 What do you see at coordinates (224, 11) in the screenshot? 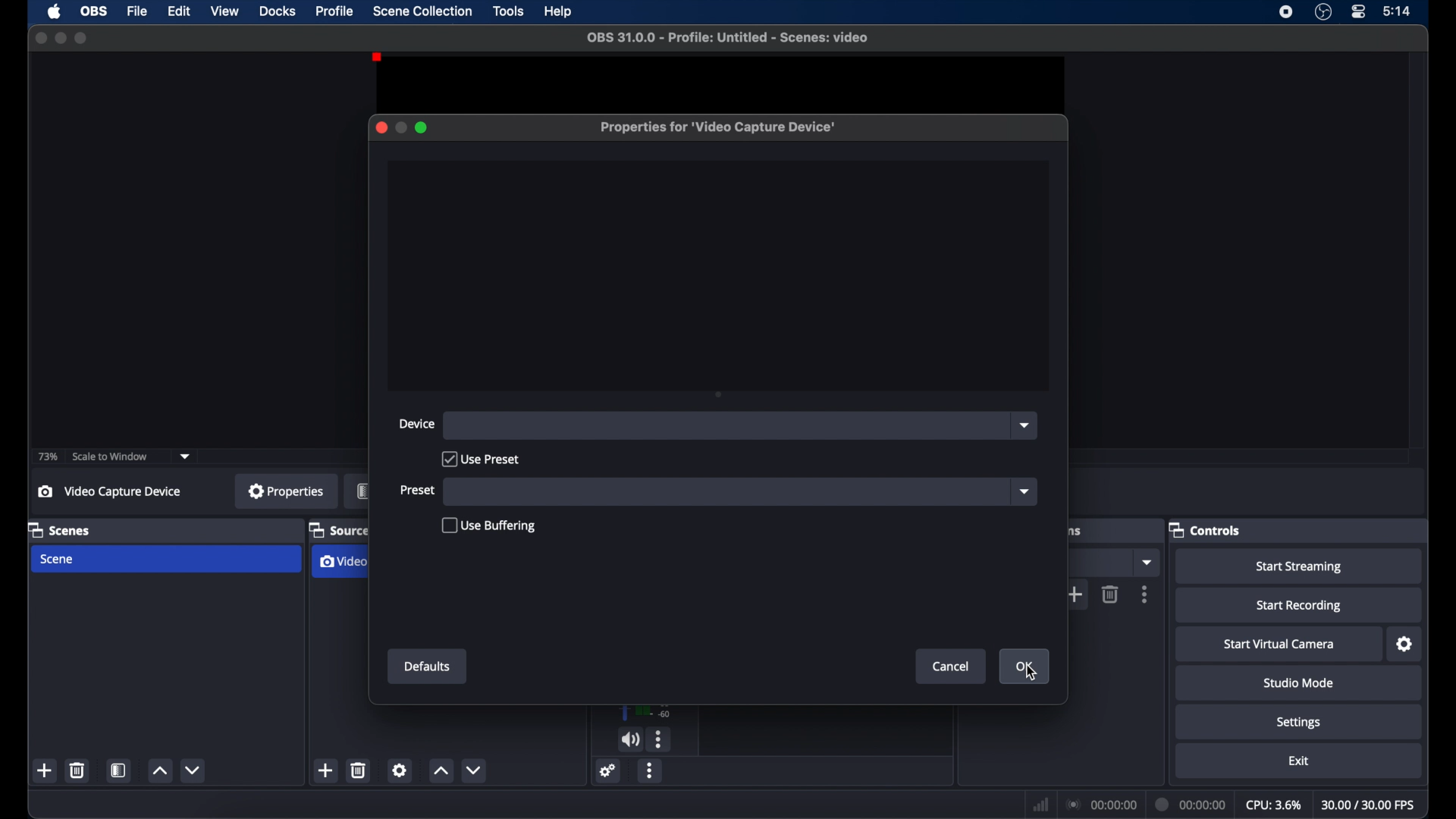
I see `view` at bounding box center [224, 11].